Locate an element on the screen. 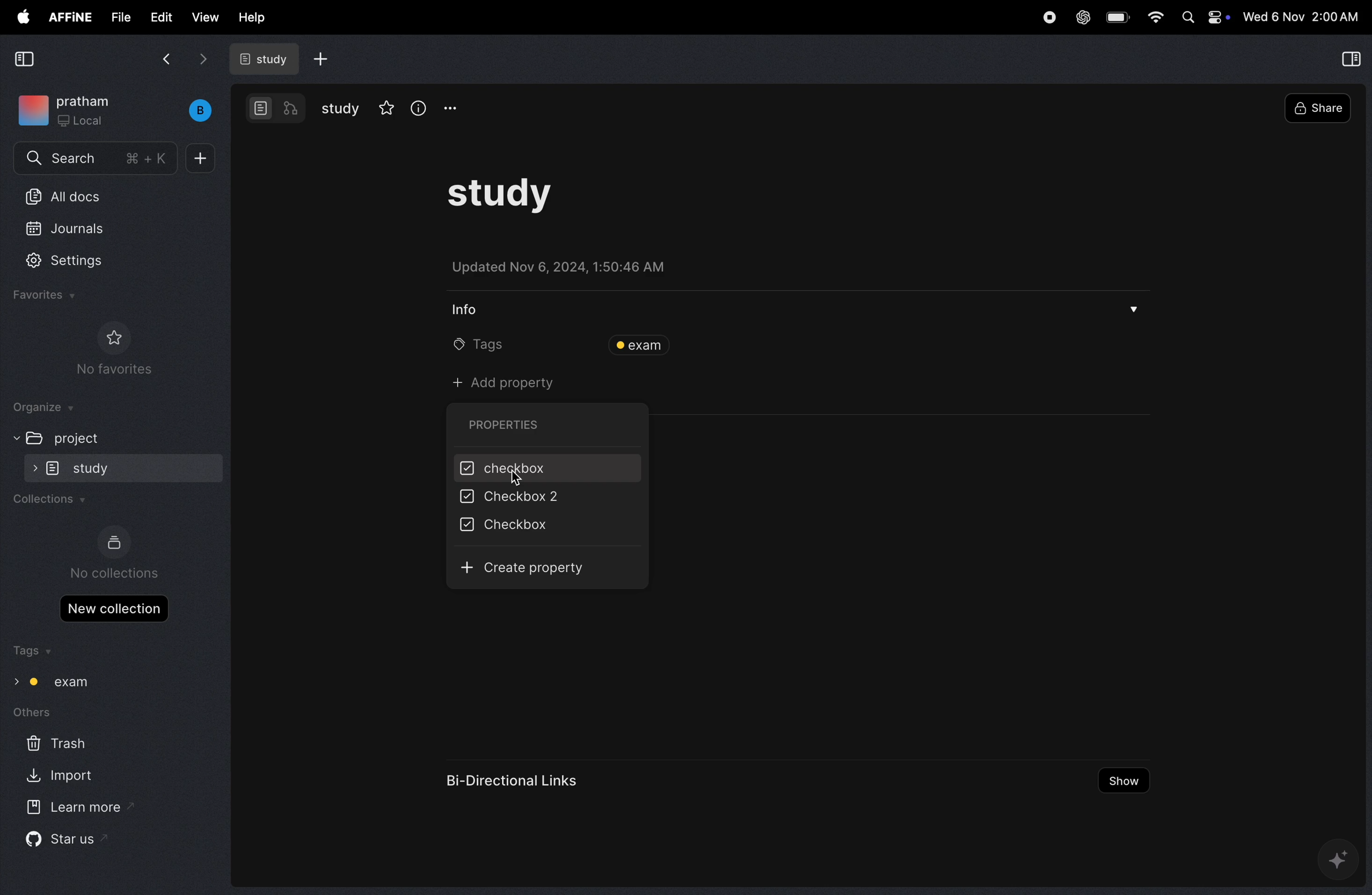  record is located at coordinates (1046, 18).